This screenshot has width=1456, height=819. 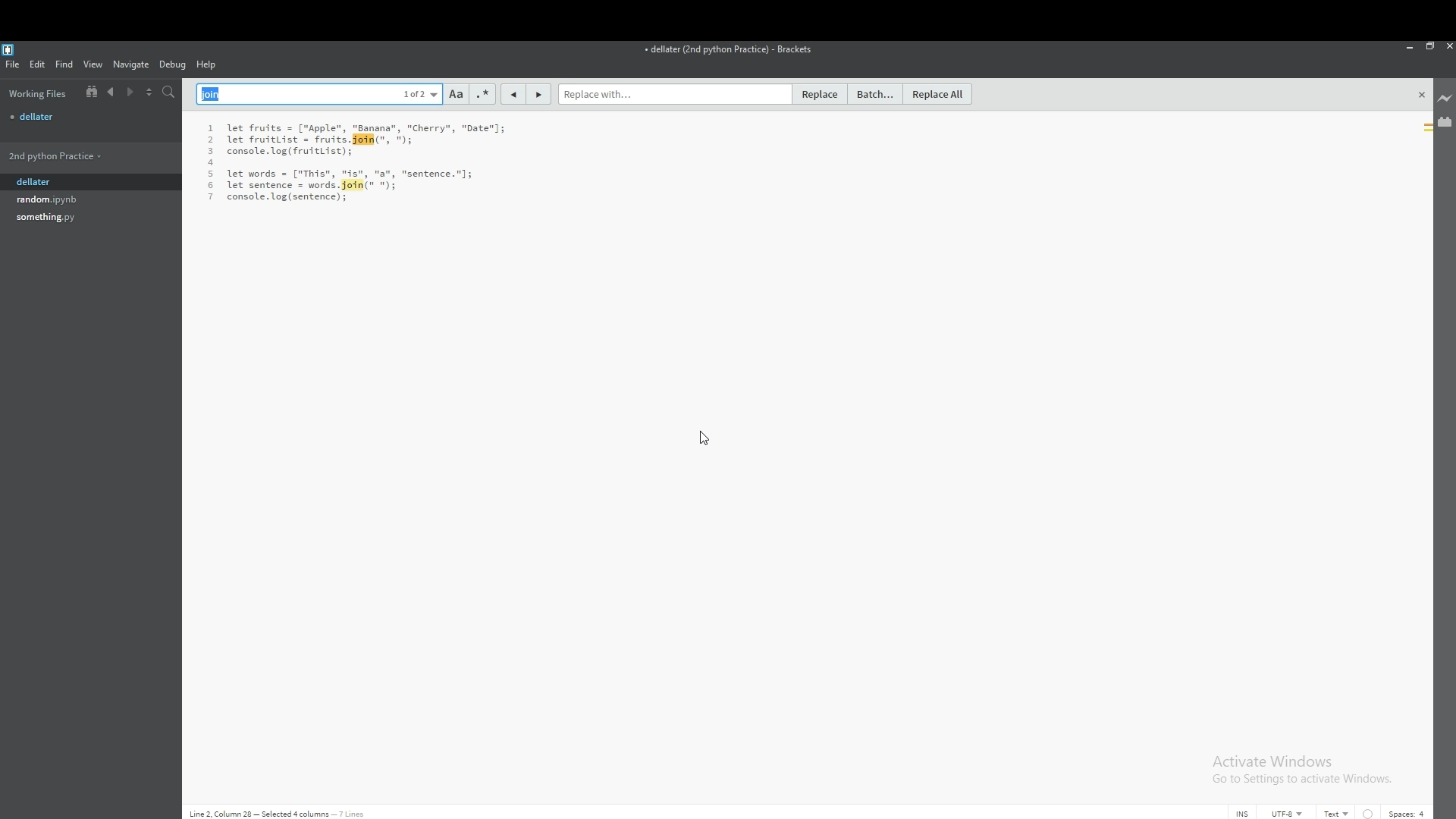 What do you see at coordinates (71, 218) in the screenshot?
I see `file` at bounding box center [71, 218].